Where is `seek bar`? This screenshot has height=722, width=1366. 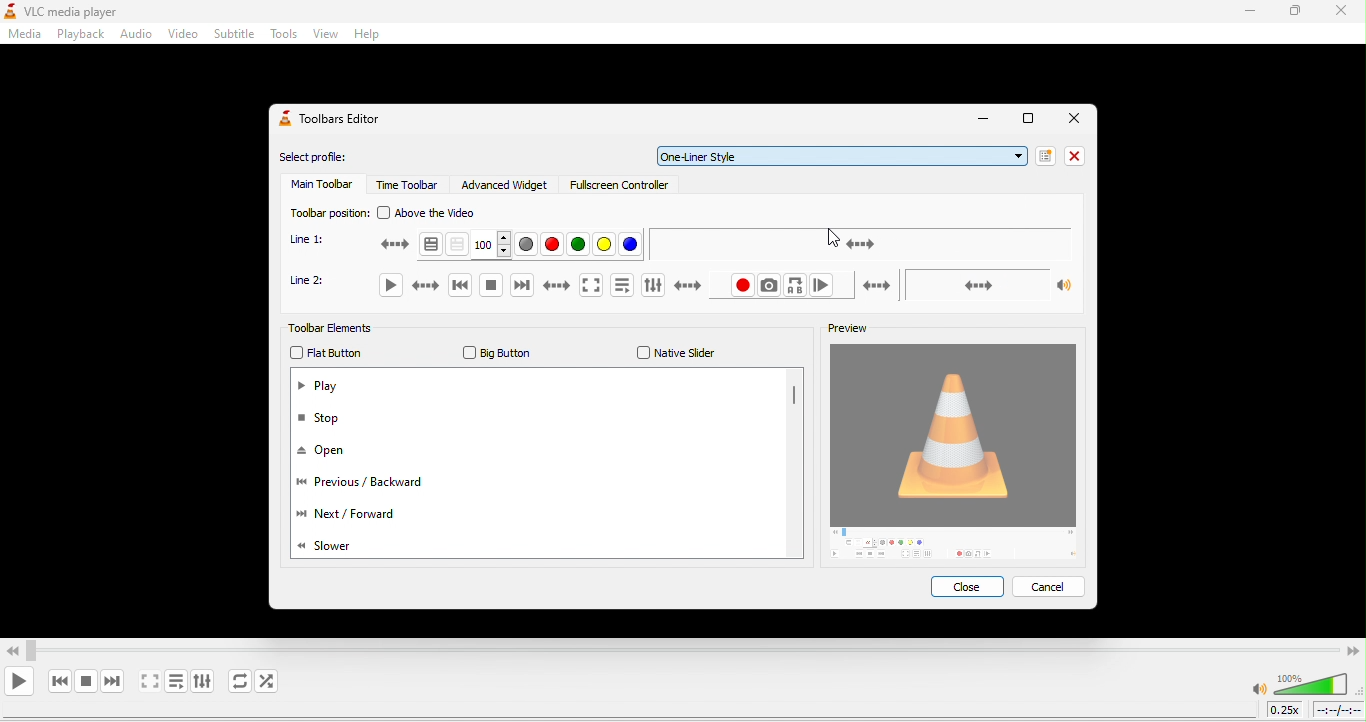 seek bar is located at coordinates (860, 243).